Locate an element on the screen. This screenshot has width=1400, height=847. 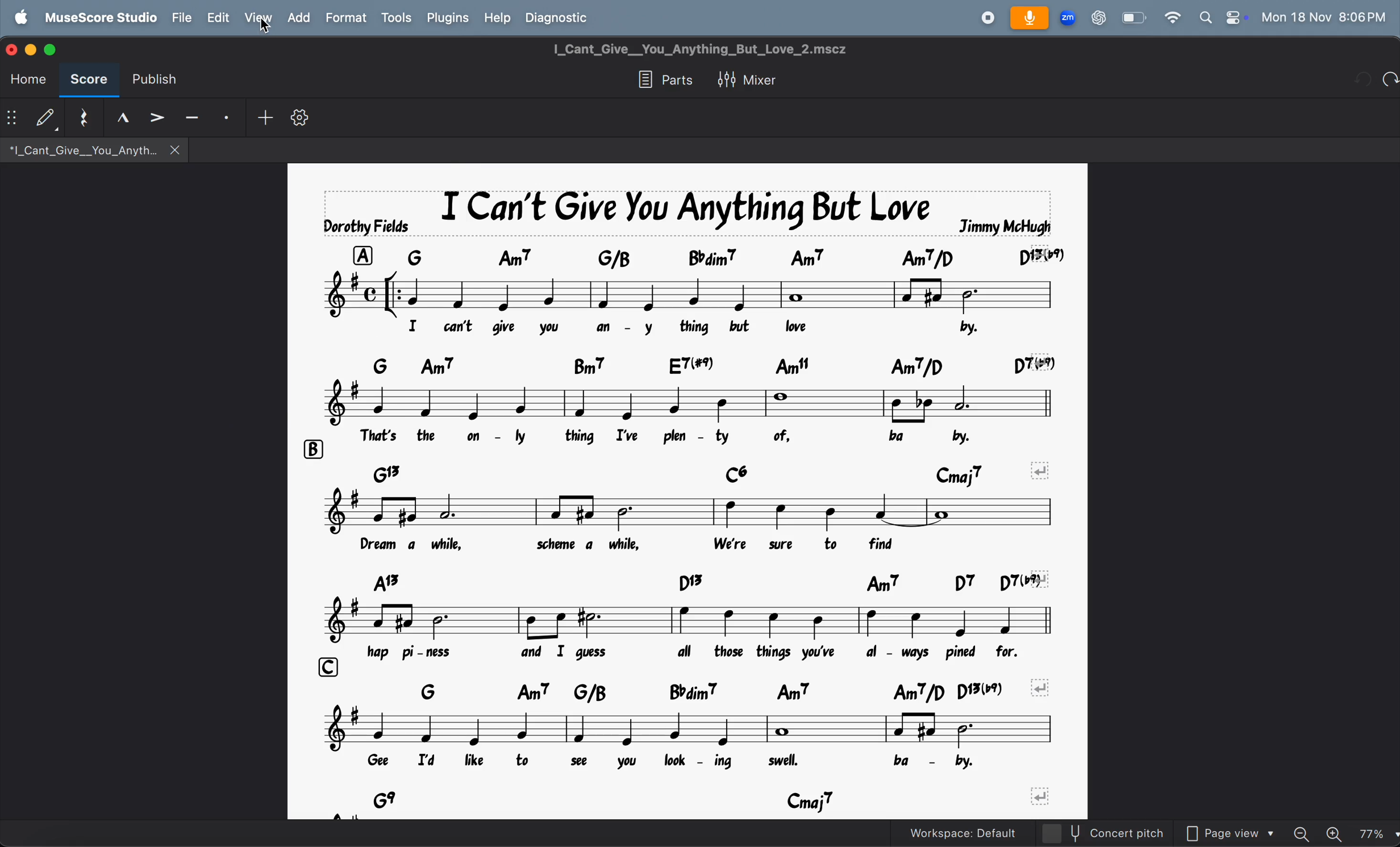
musescore studio is located at coordinates (98, 18).